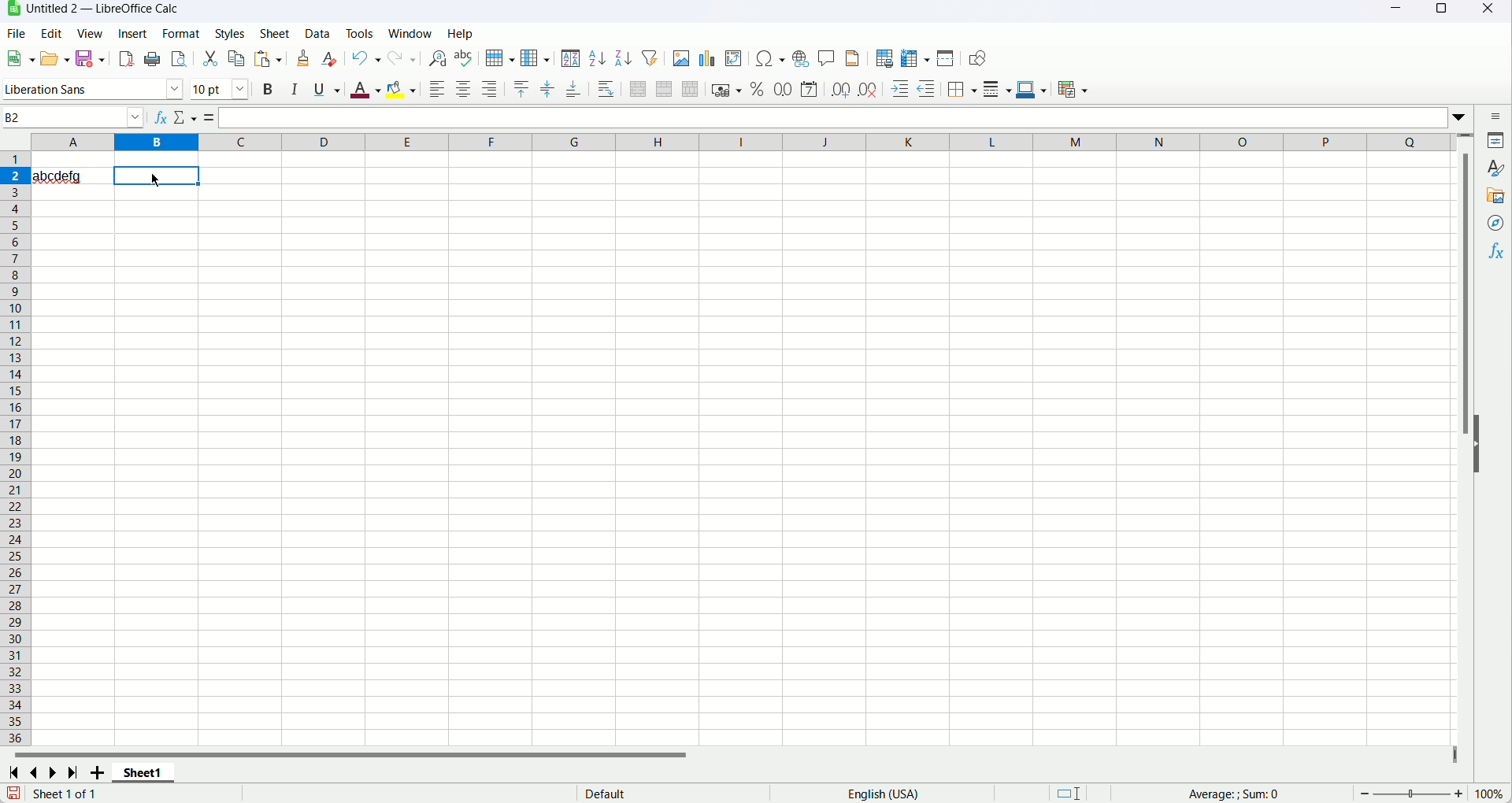 The height and width of the screenshot is (803, 1512). I want to click on formula bar, so click(833, 117).